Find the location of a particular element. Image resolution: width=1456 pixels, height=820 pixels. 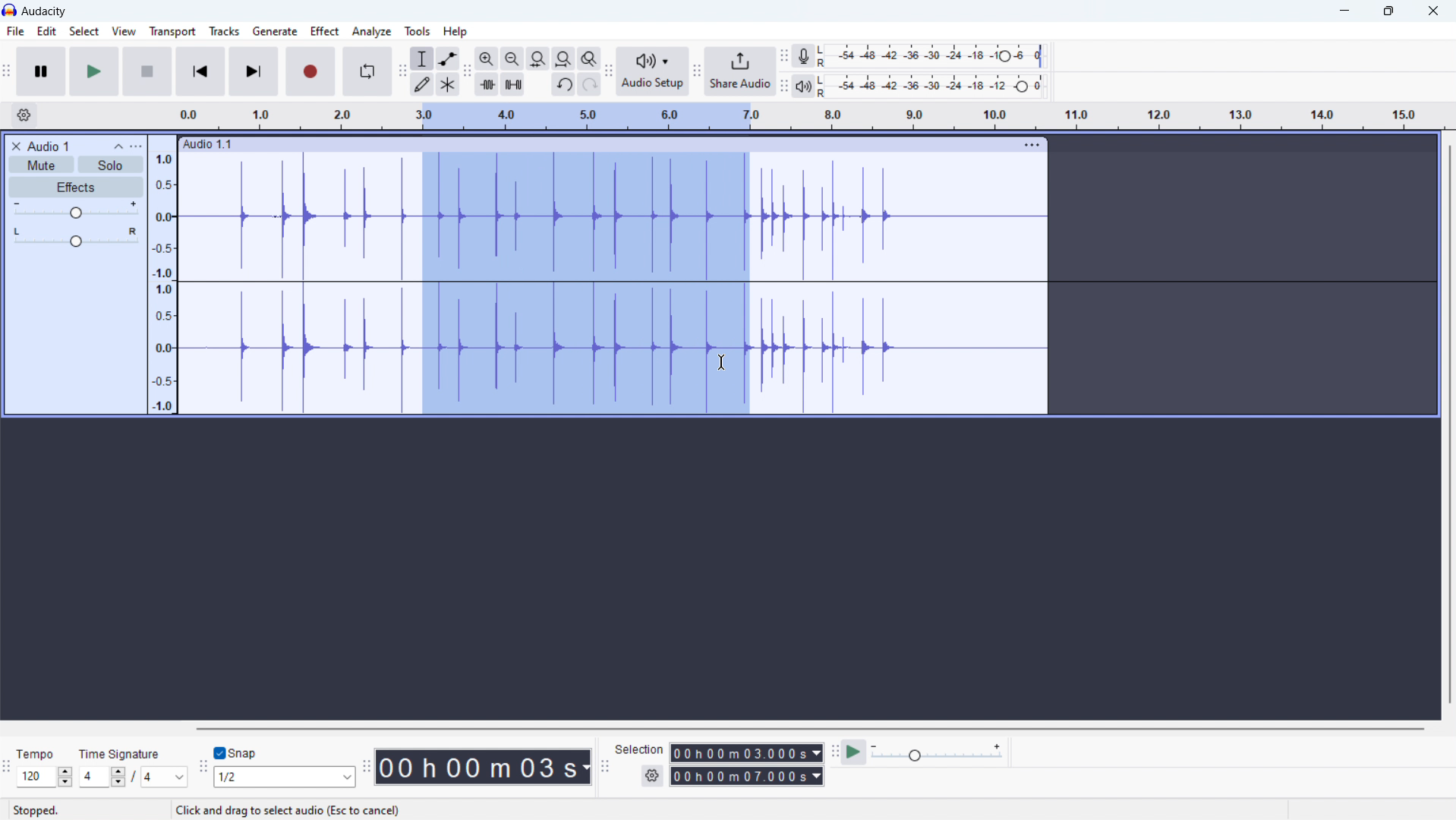

00h00m03. 000s (start time) is located at coordinates (746, 747).